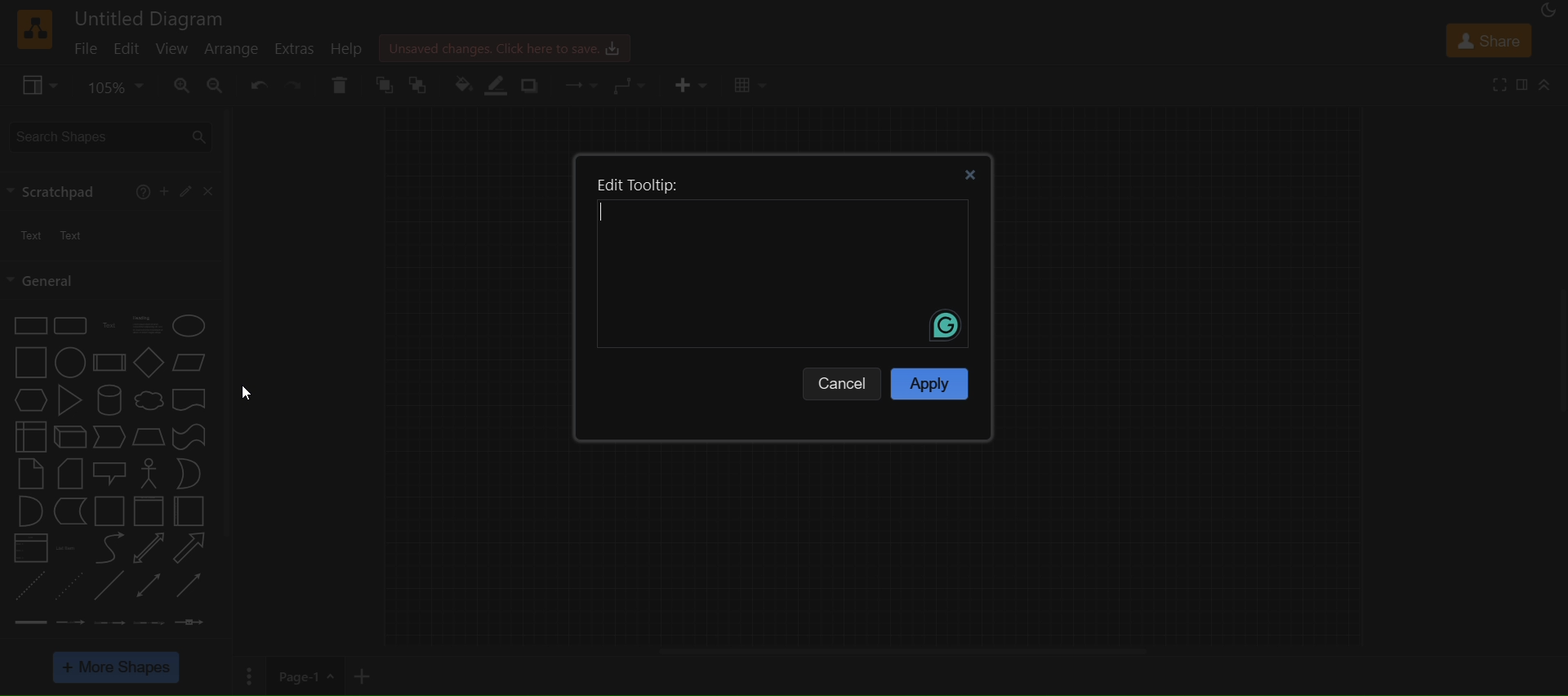  I want to click on add new page, so click(375, 675).